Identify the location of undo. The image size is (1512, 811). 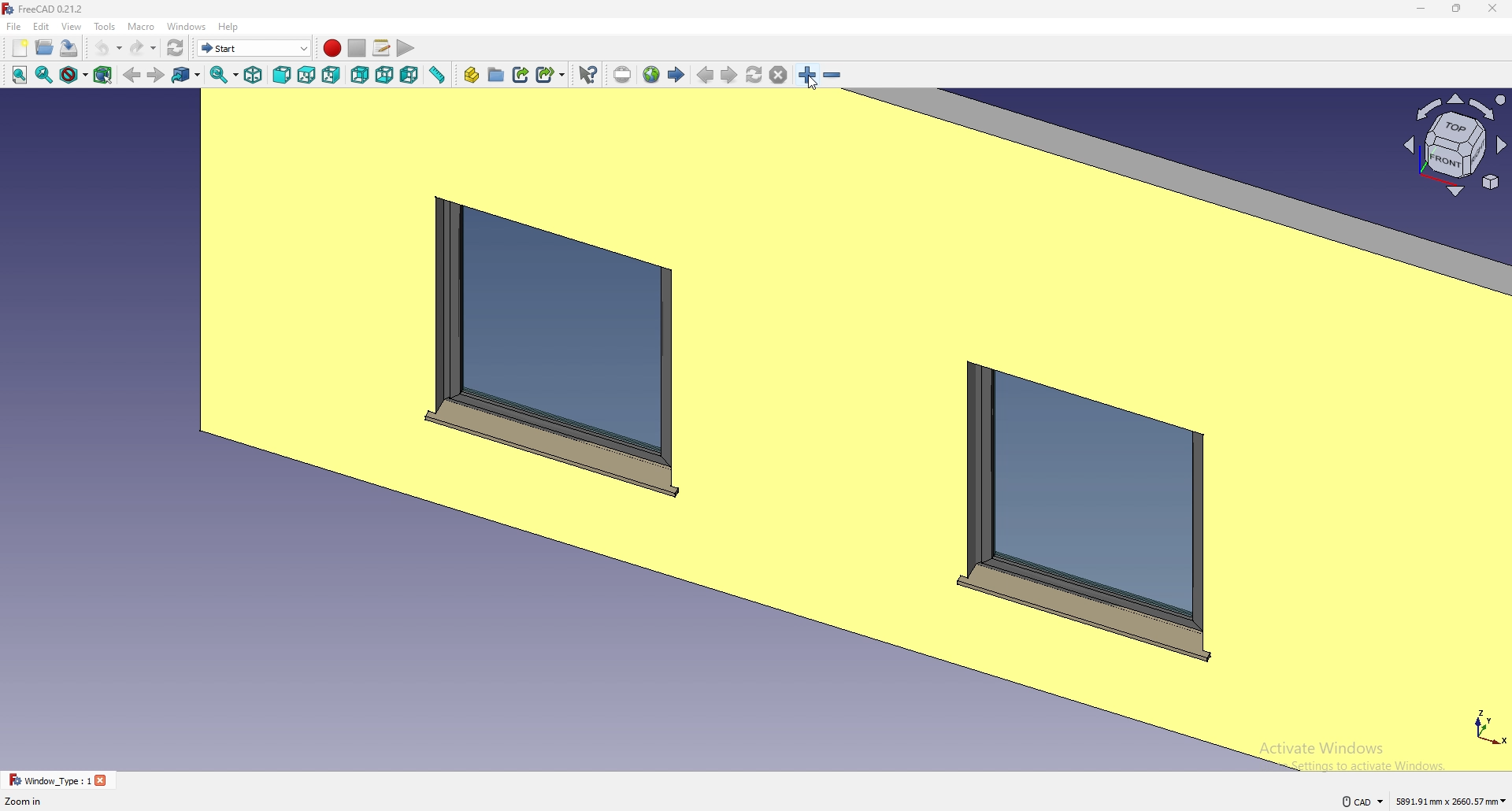
(106, 48).